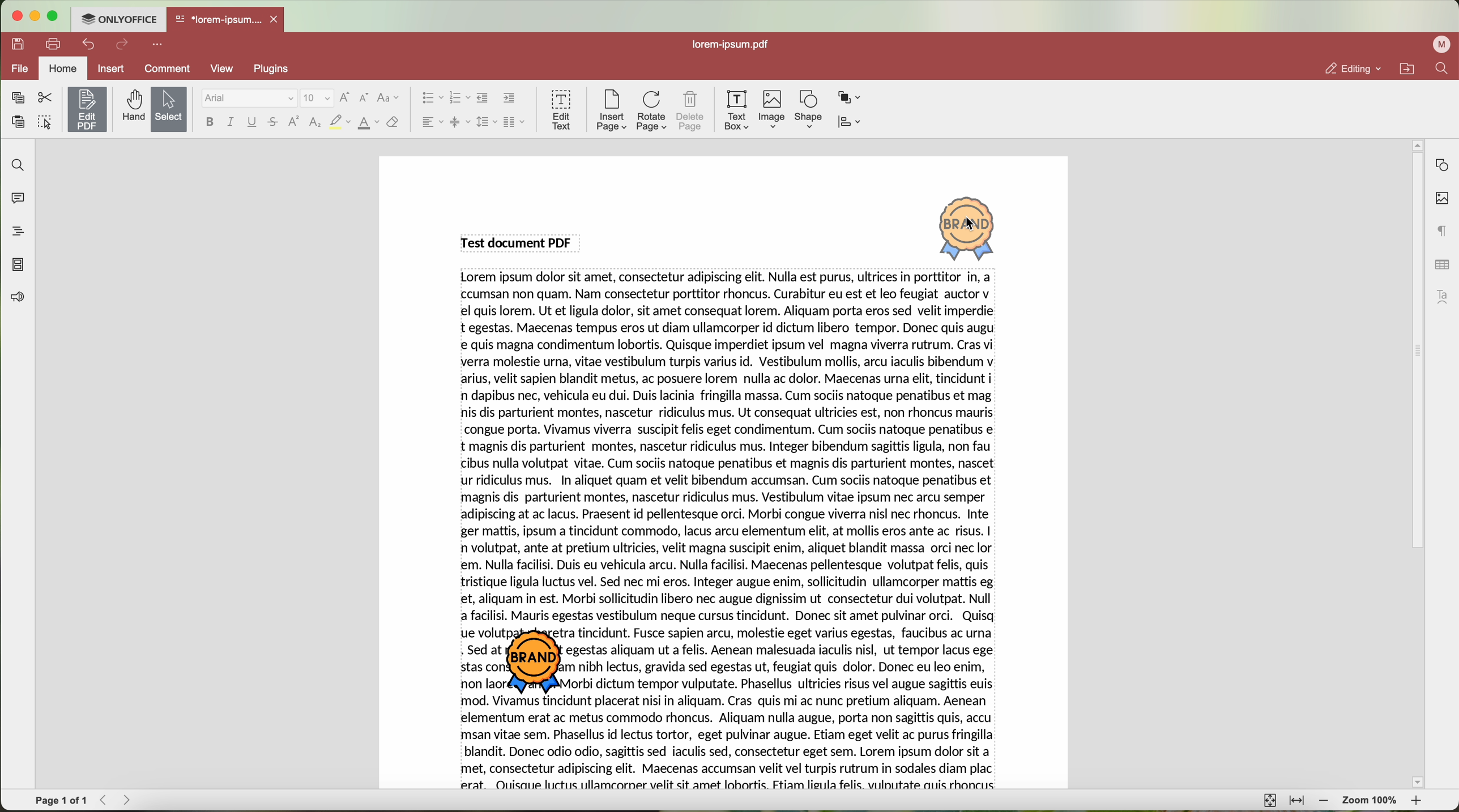 The width and height of the screenshot is (1459, 812). Describe the element at coordinates (63, 70) in the screenshot. I see `home` at that location.